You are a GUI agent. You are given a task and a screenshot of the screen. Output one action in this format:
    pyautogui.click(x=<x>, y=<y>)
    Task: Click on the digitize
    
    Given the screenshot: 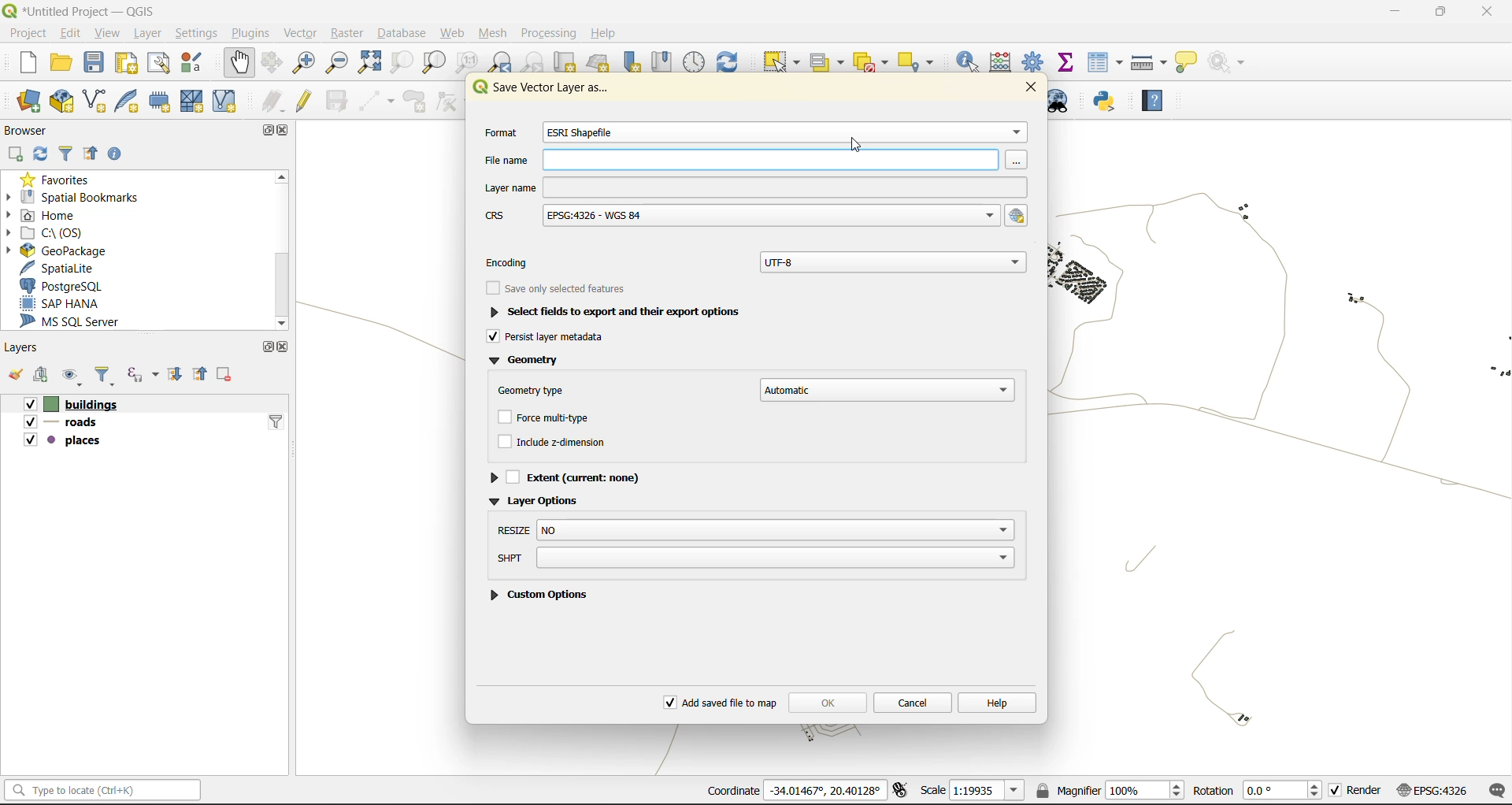 What is the action you would take?
    pyautogui.click(x=377, y=101)
    